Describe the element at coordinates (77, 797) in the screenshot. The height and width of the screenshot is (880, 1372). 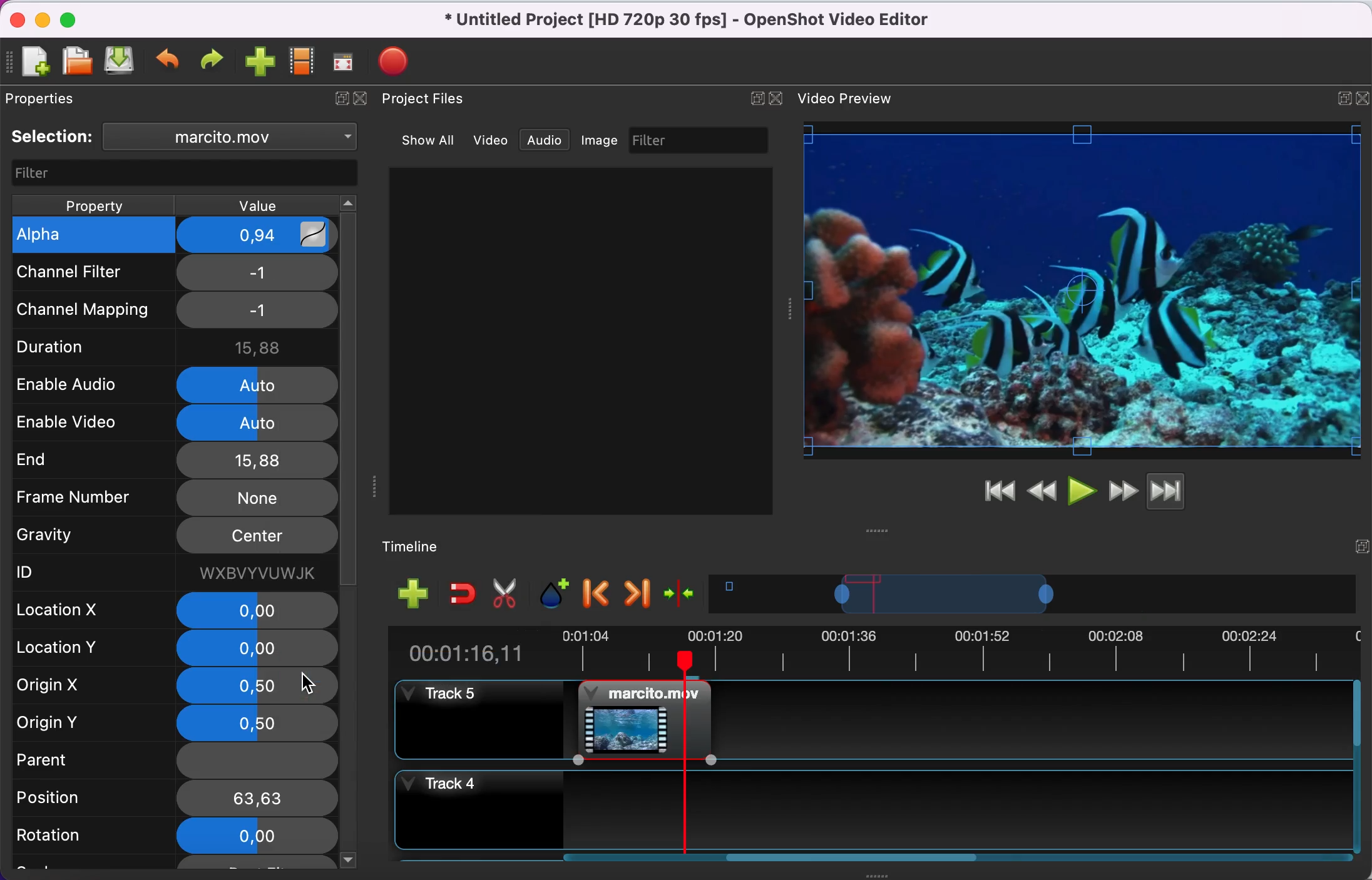
I see `Position` at that location.